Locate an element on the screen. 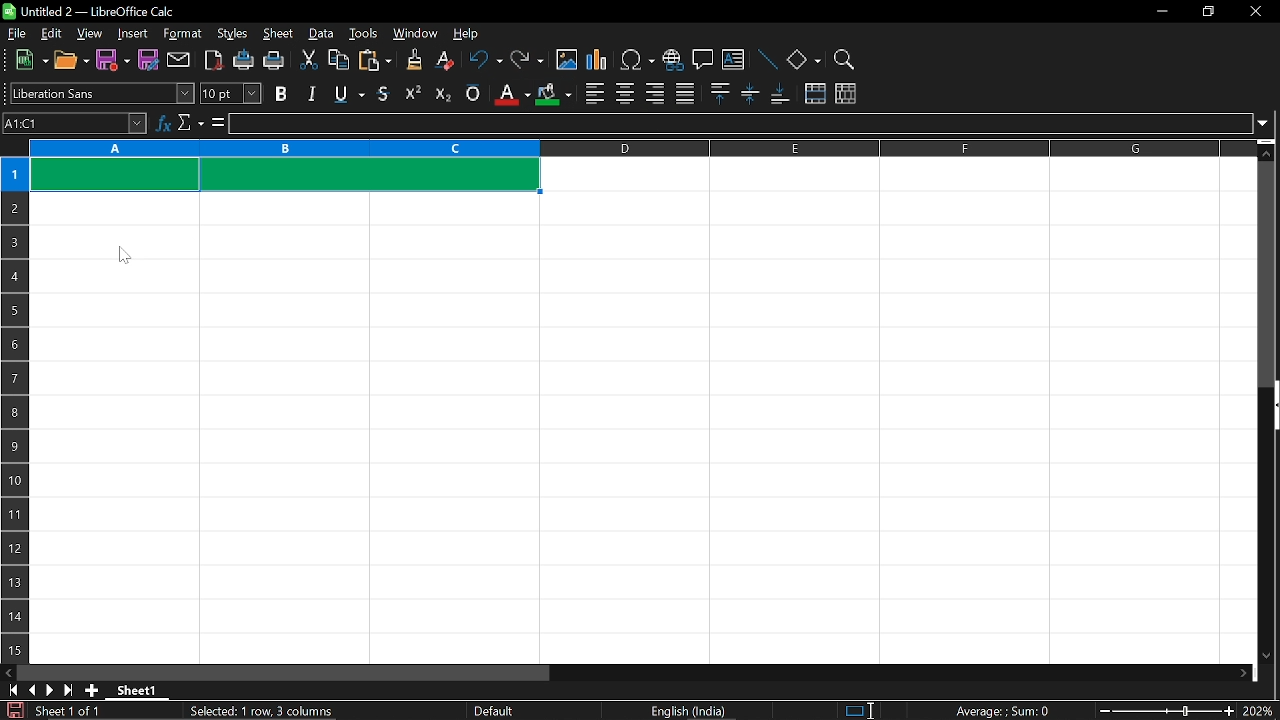  change zoom is located at coordinates (1163, 711).